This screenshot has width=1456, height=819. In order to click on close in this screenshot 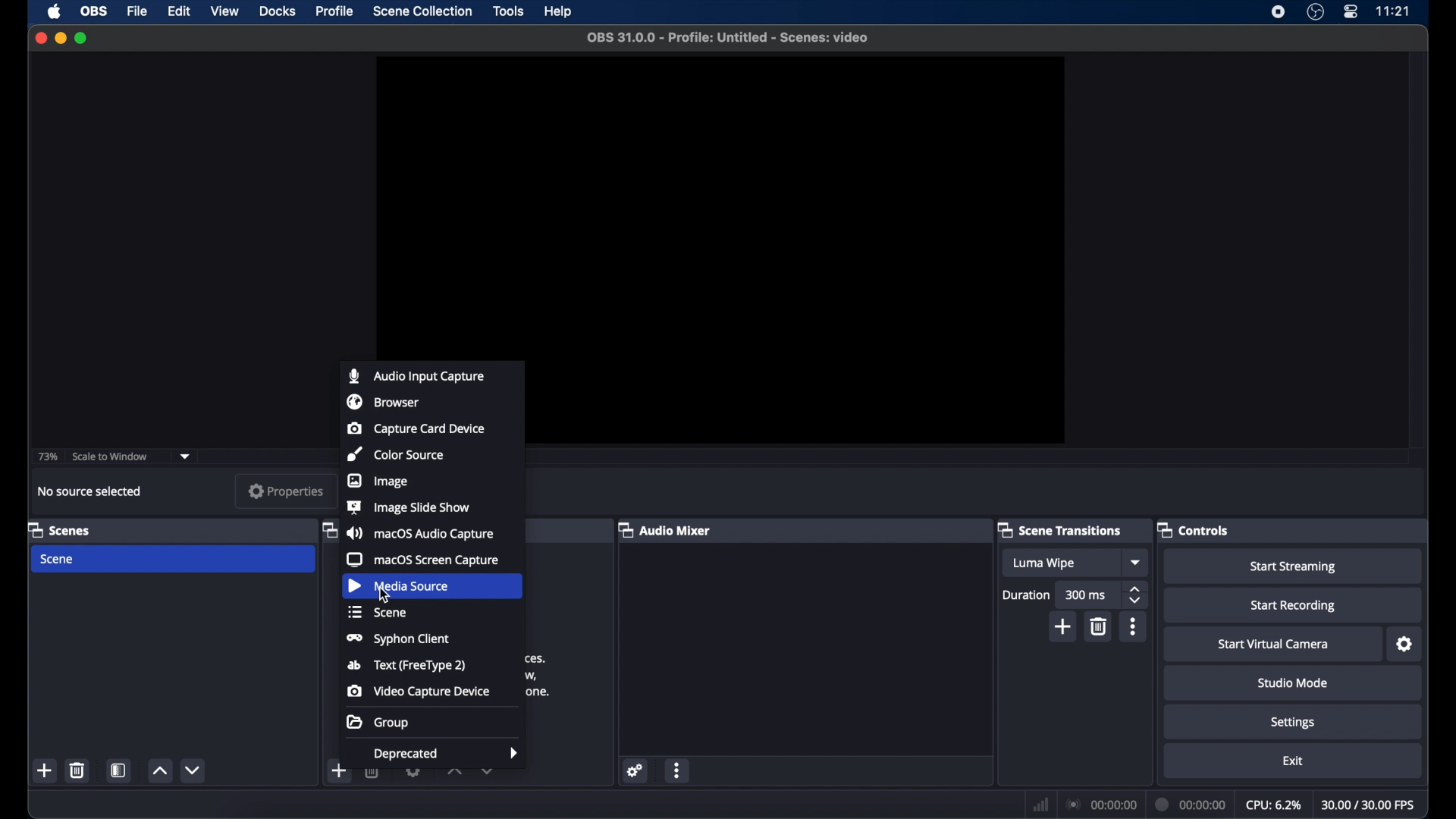, I will do `click(40, 38)`.